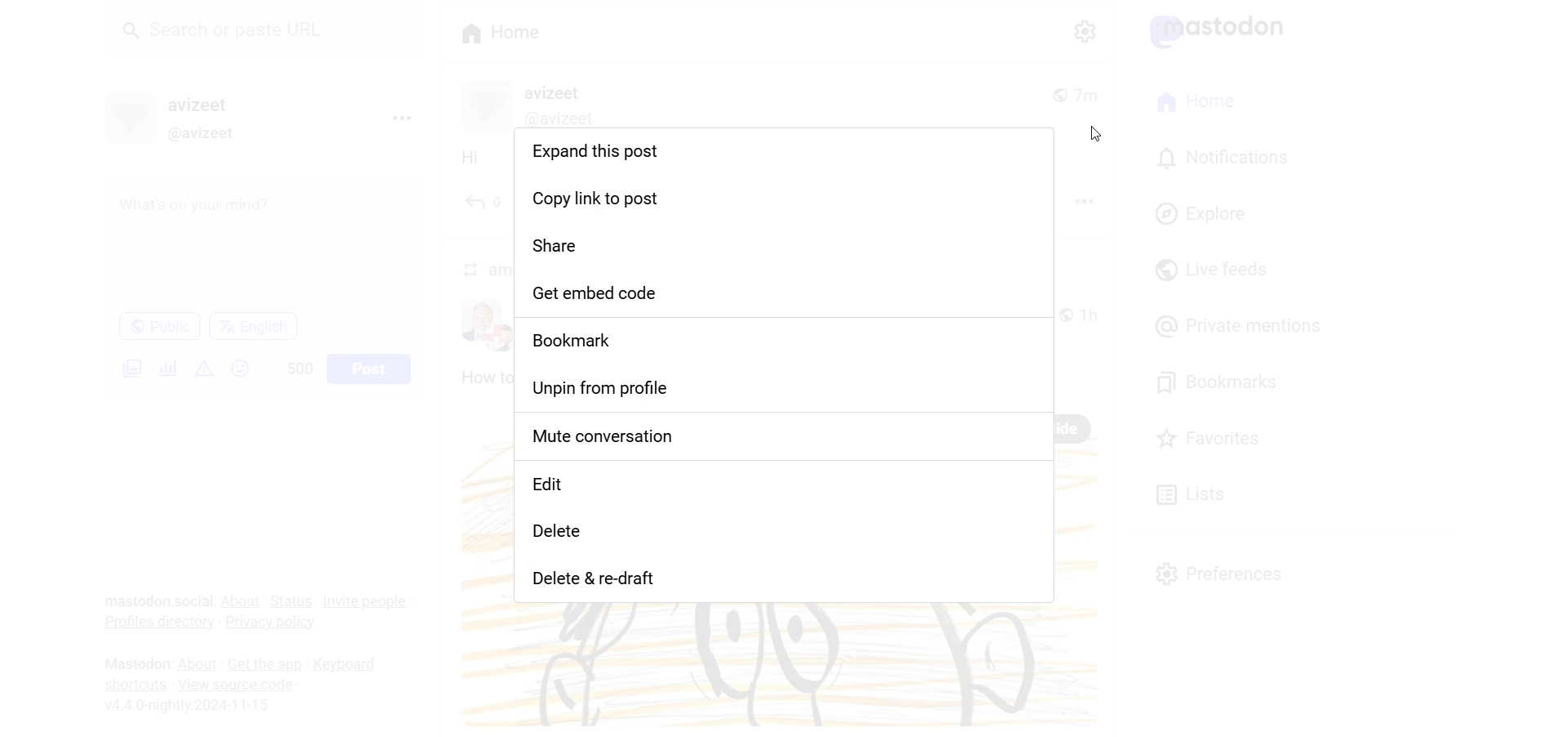  What do you see at coordinates (1120, 226) in the screenshot?
I see `More` at bounding box center [1120, 226].